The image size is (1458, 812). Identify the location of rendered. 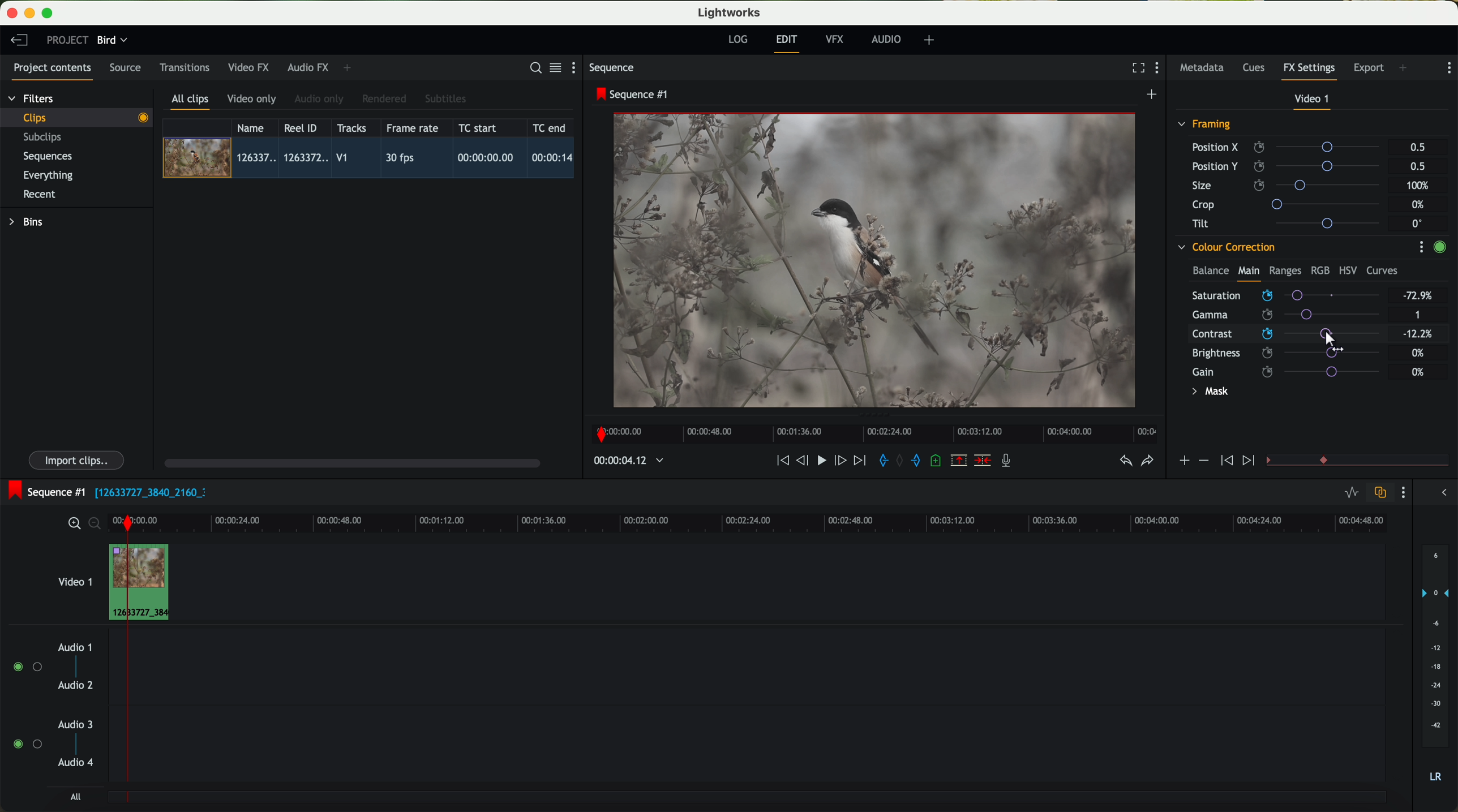
(385, 100).